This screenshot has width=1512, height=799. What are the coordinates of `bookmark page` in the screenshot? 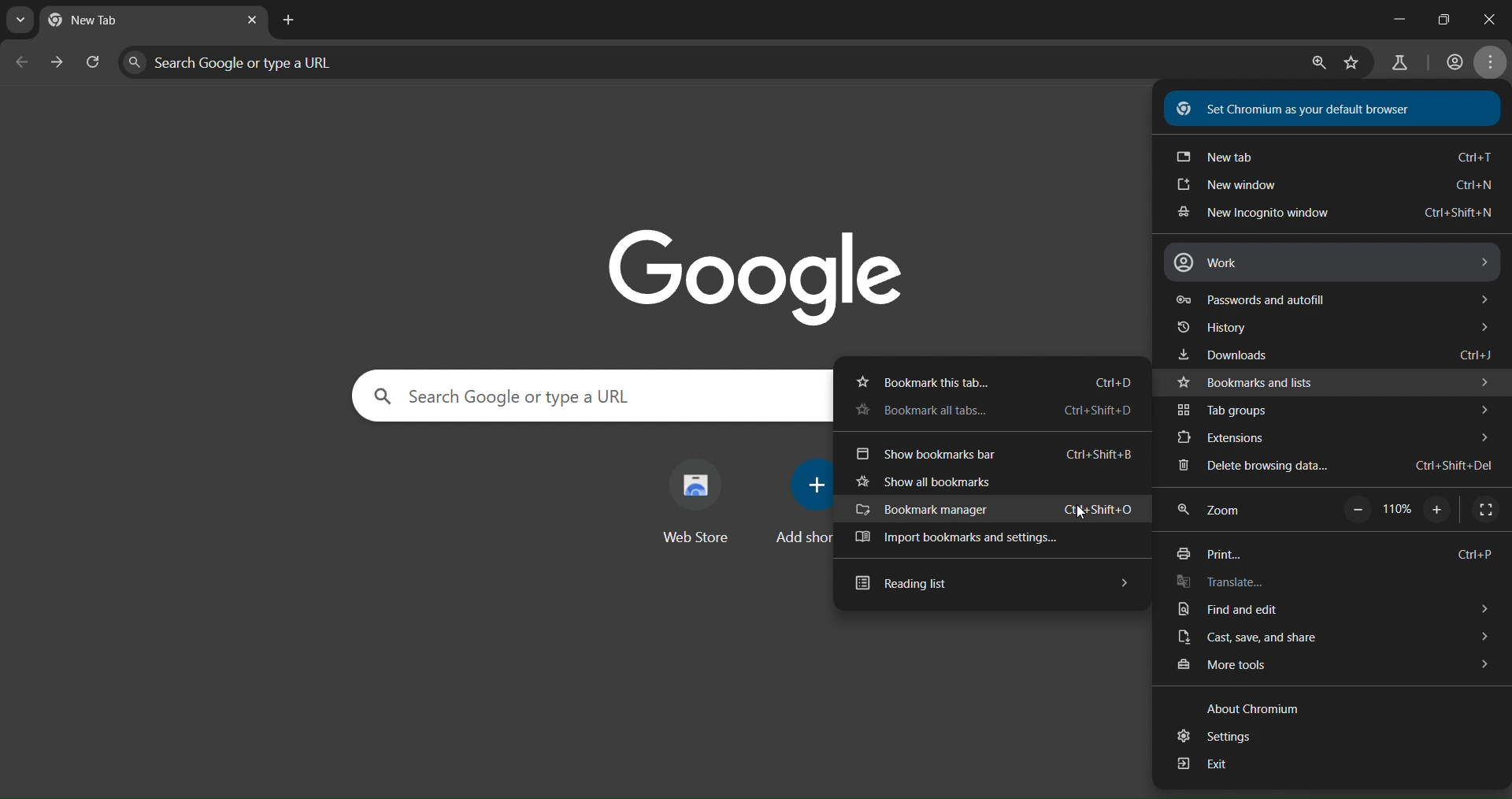 It's located at (1353, 64).